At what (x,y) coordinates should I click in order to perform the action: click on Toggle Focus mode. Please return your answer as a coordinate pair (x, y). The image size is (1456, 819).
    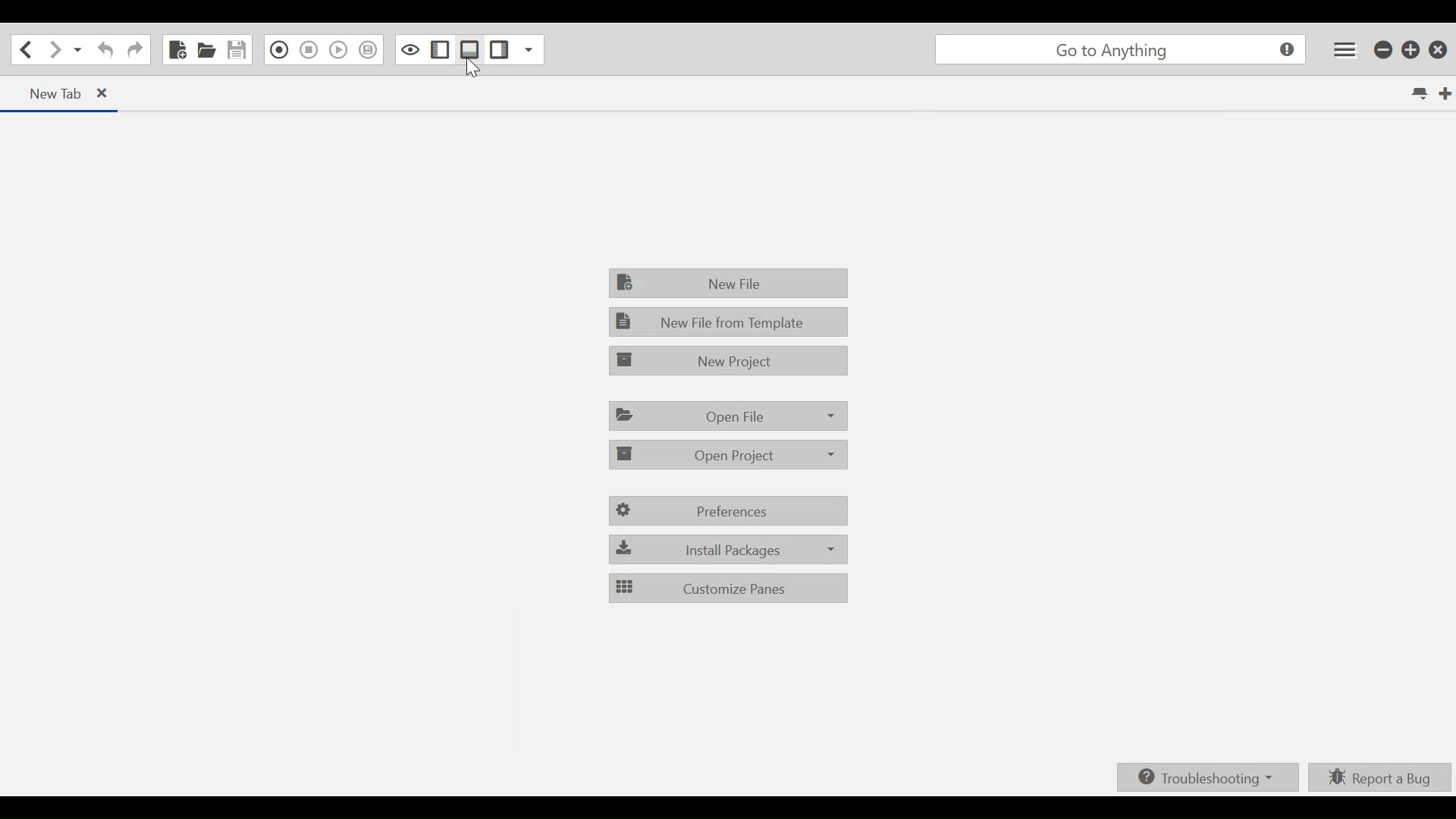
    Looking at the image, I should click on (410, 50).